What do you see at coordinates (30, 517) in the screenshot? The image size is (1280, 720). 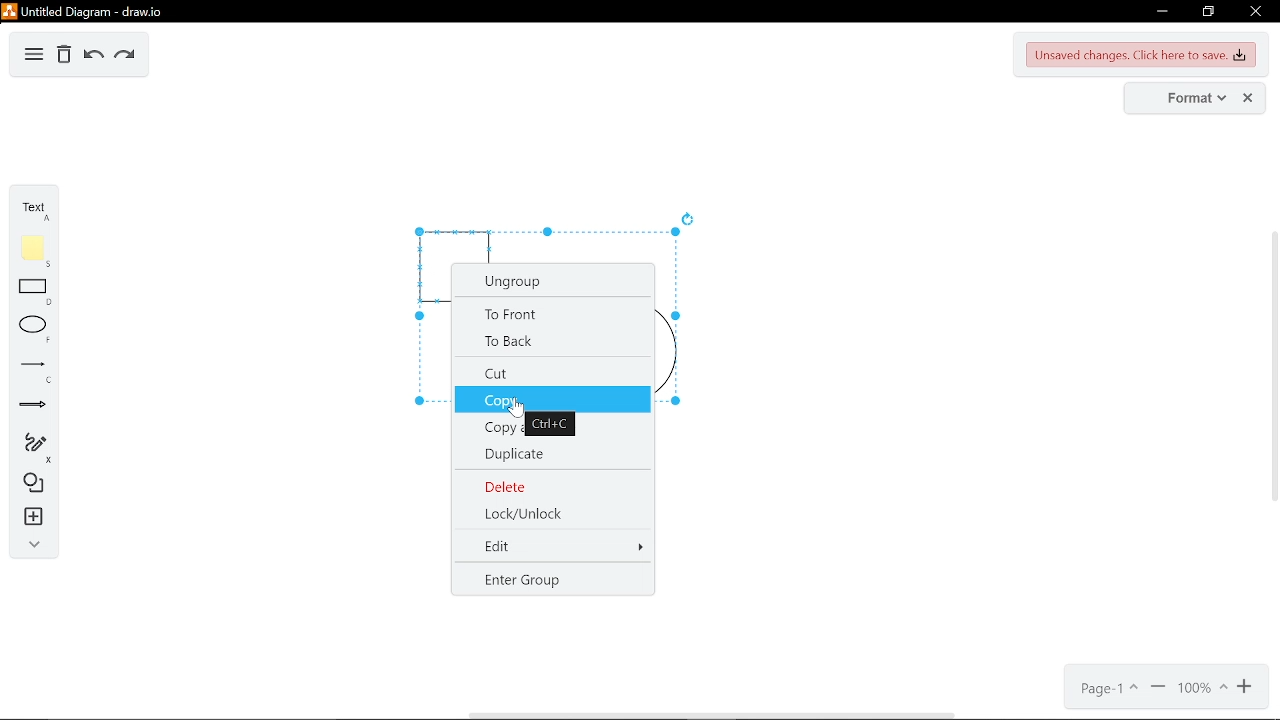 I see `insert` at bounding box center [30, 517].